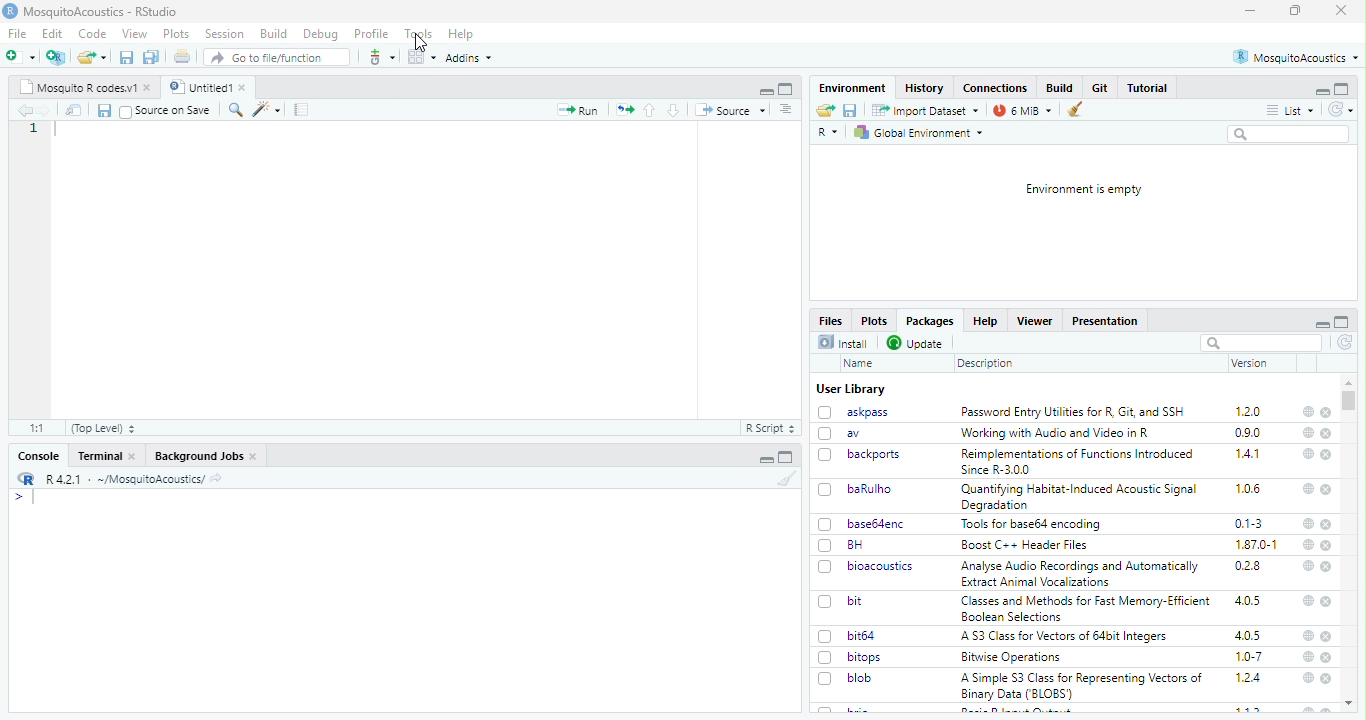  Describe the element at coordinates (1310, 433) in the screenshot. I see `web` at that location.